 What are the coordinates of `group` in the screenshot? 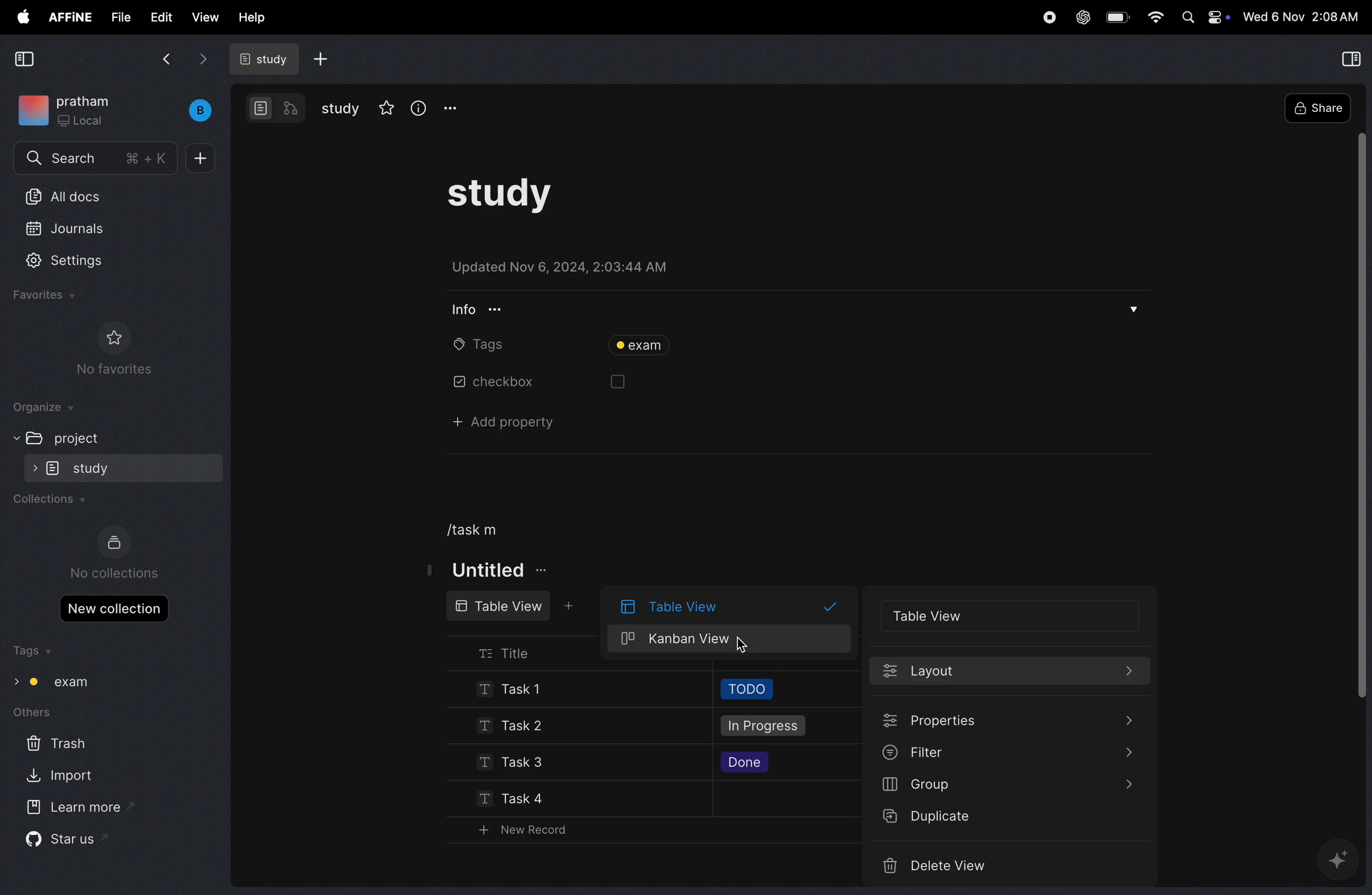 It's located at (1004, 785).